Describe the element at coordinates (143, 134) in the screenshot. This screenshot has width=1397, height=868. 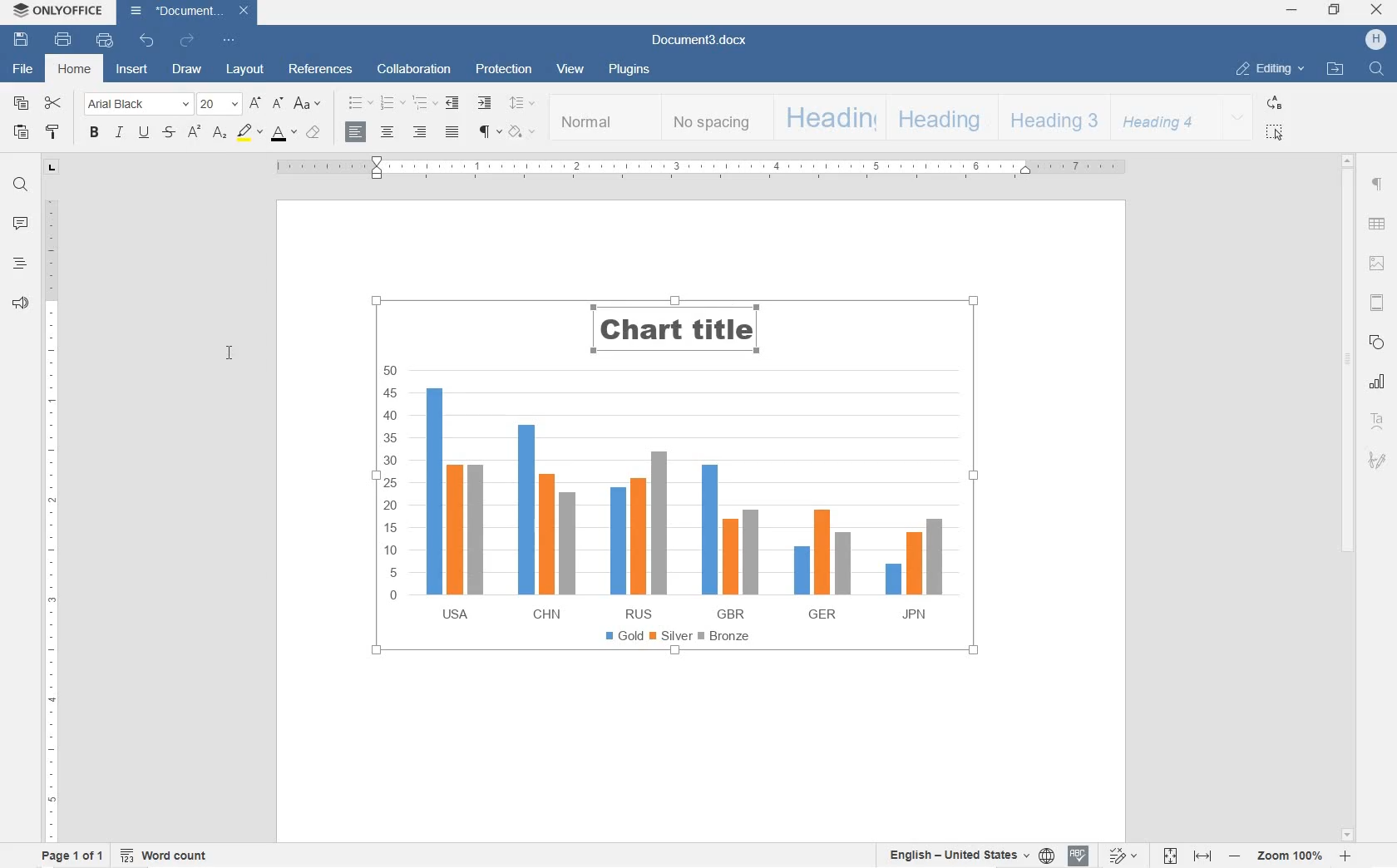
I see `UNDERLINE` at that location.